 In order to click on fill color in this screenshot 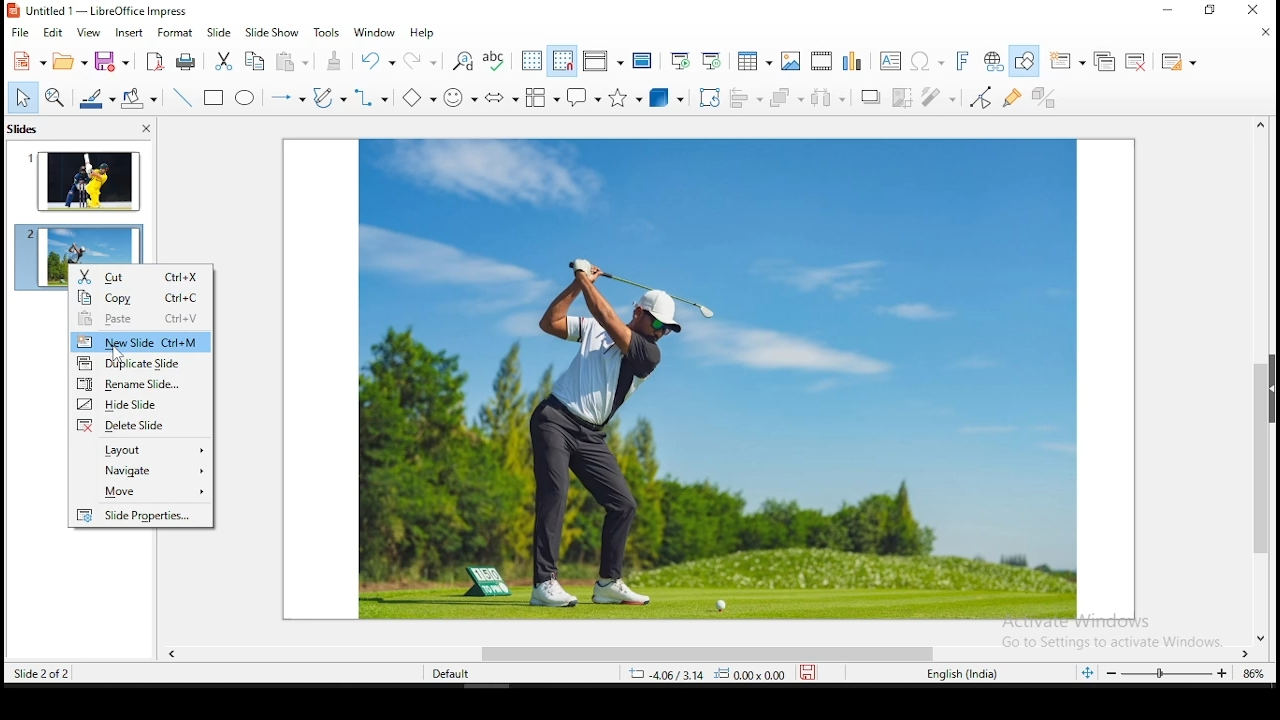, I will do `click(136, 98)`.